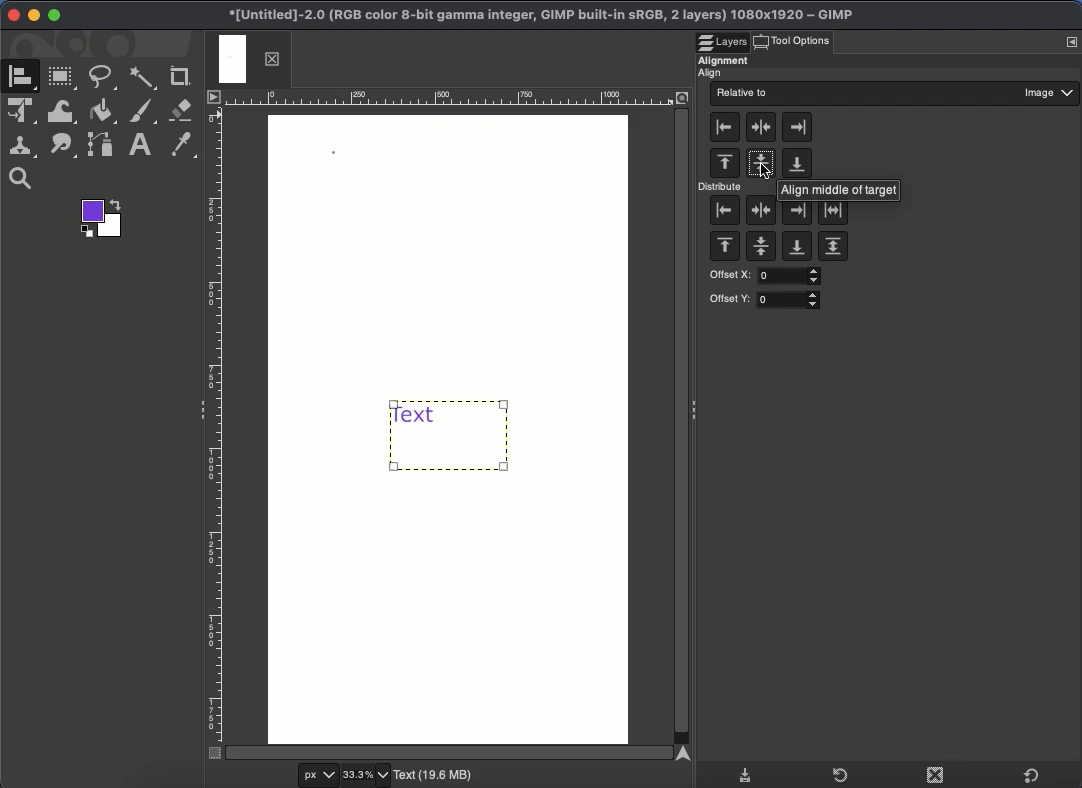  What do you see at coordinates (61, 111) in the screenshot?
I see `Warp transformation` at bounding box center [61, 111].